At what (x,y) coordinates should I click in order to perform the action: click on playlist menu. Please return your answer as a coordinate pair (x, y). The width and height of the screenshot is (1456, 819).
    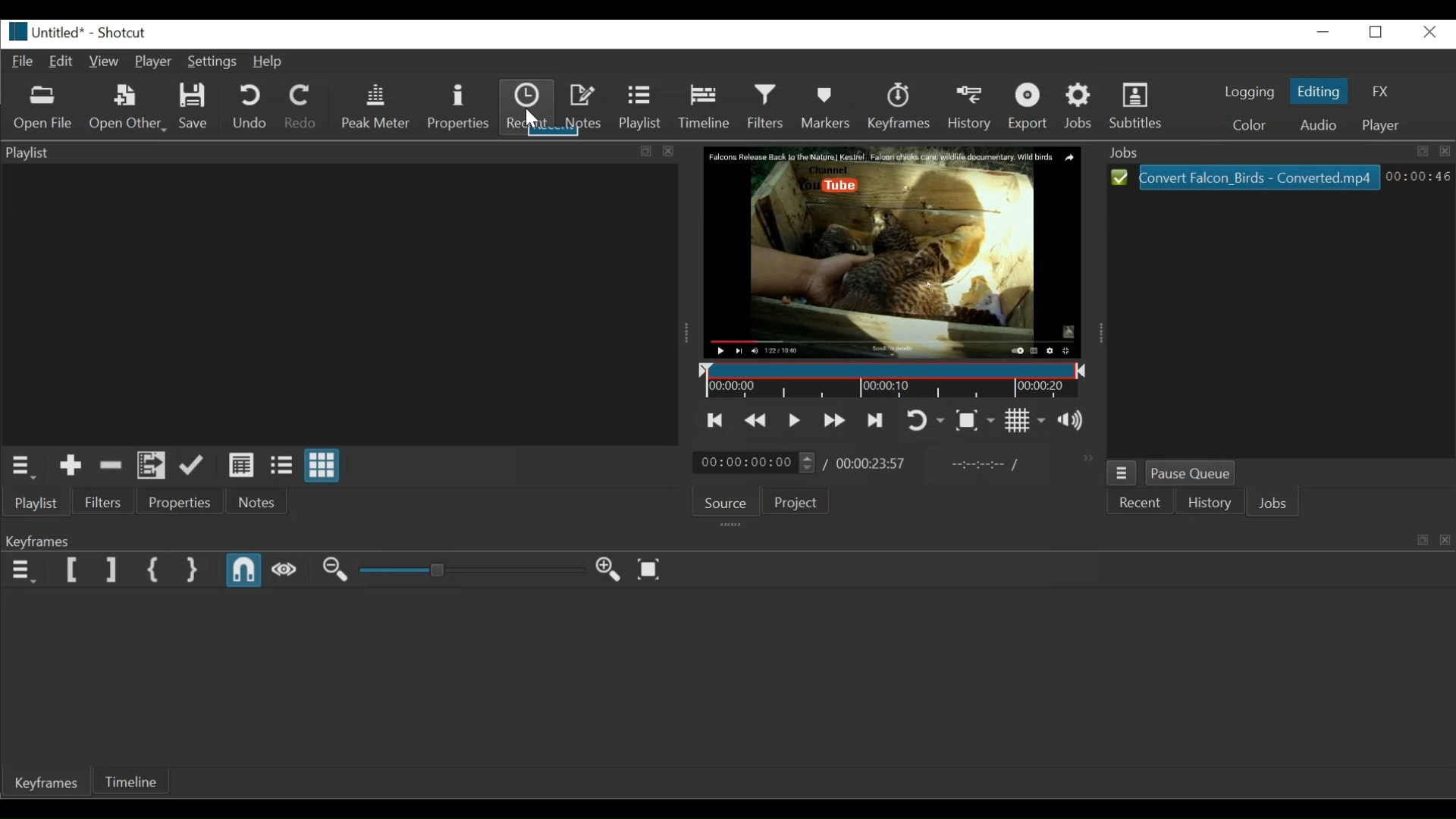
    Looking at the image, I should click on (22, 465).